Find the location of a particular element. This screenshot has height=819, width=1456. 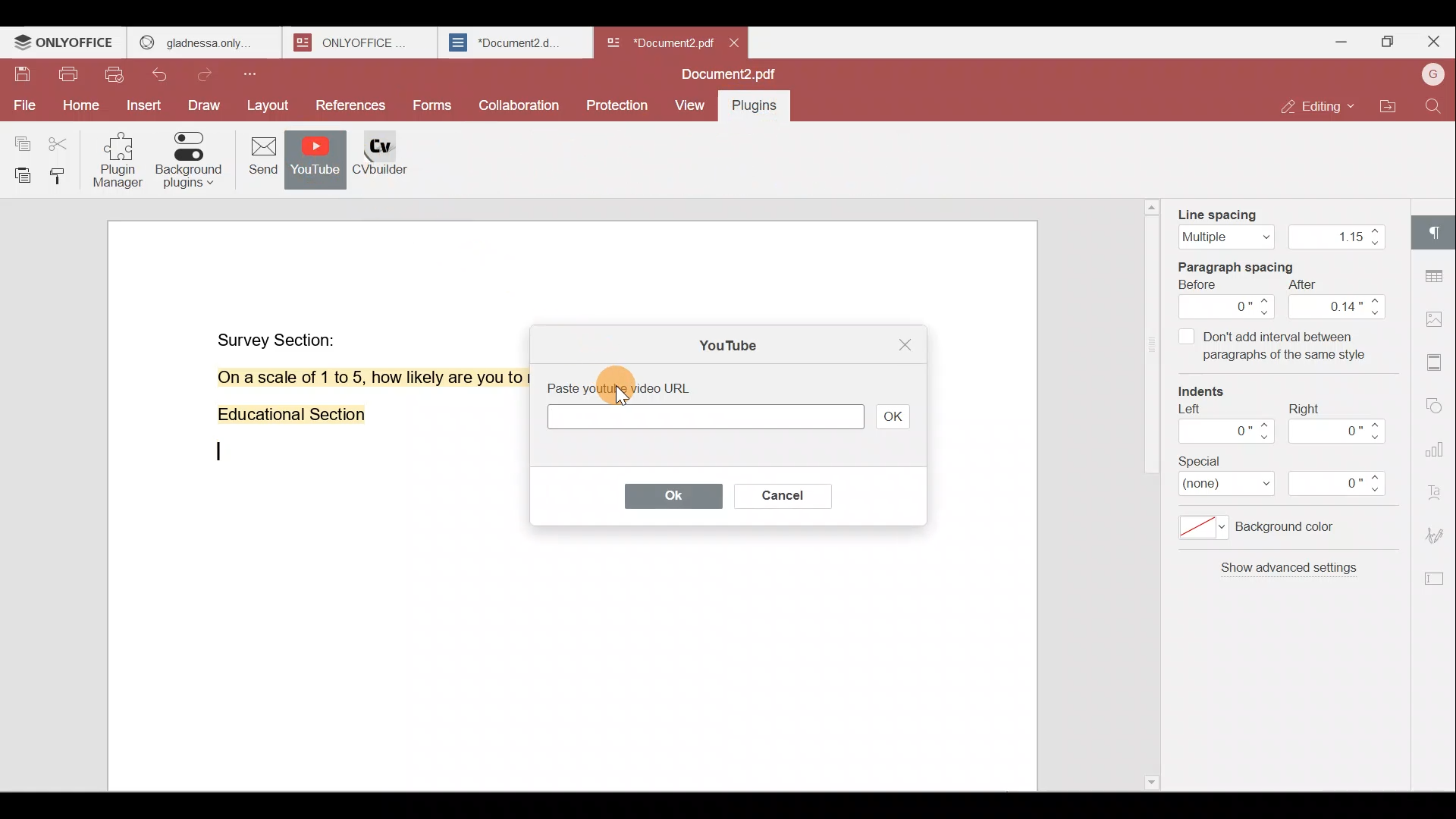

Header & footer settings is located at coordinates (1438, 361).